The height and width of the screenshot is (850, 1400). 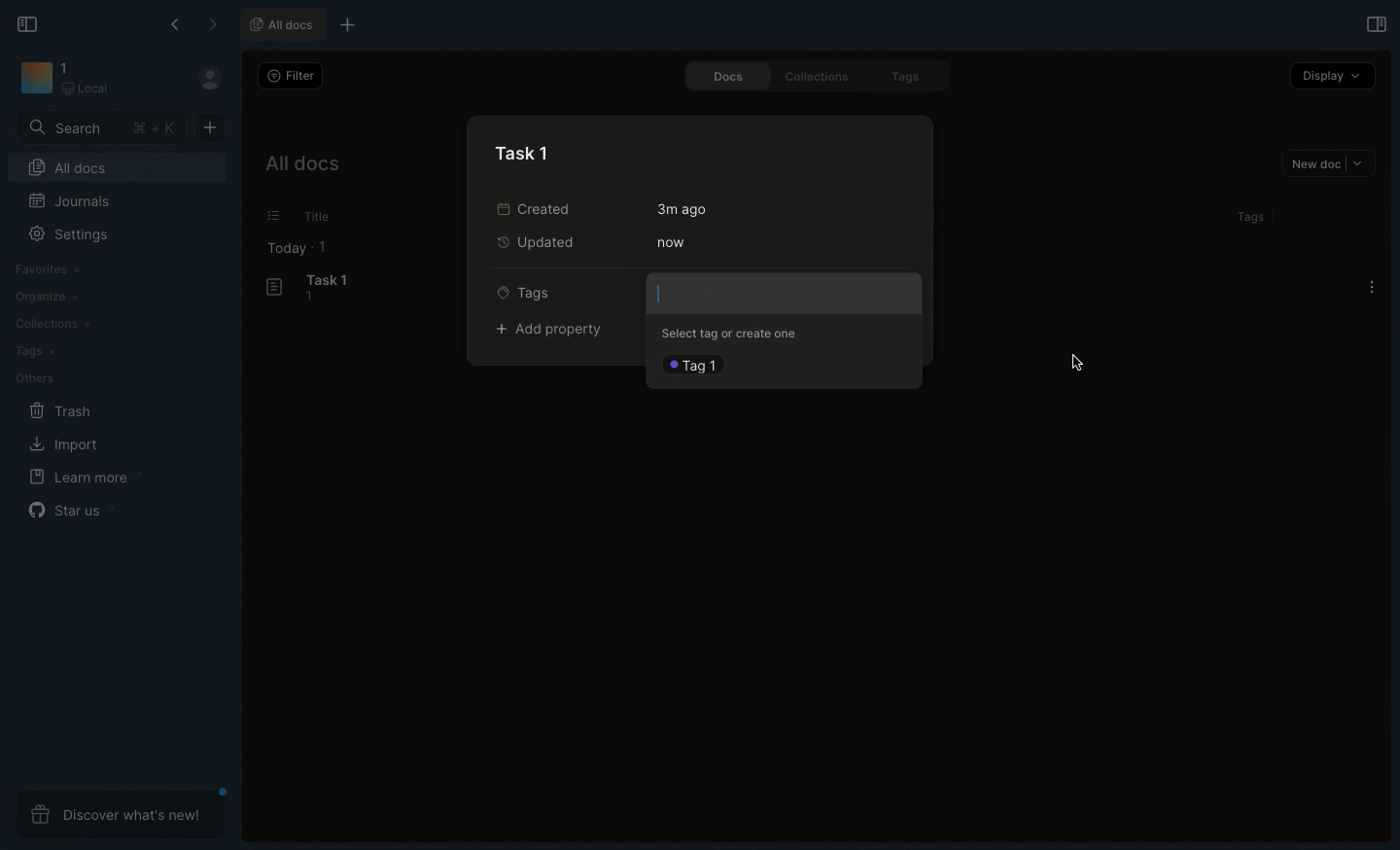 What do you see at coordinates (1331, 165) in the screenshot?
I see `New doc` at bounding box center [1331, 165].